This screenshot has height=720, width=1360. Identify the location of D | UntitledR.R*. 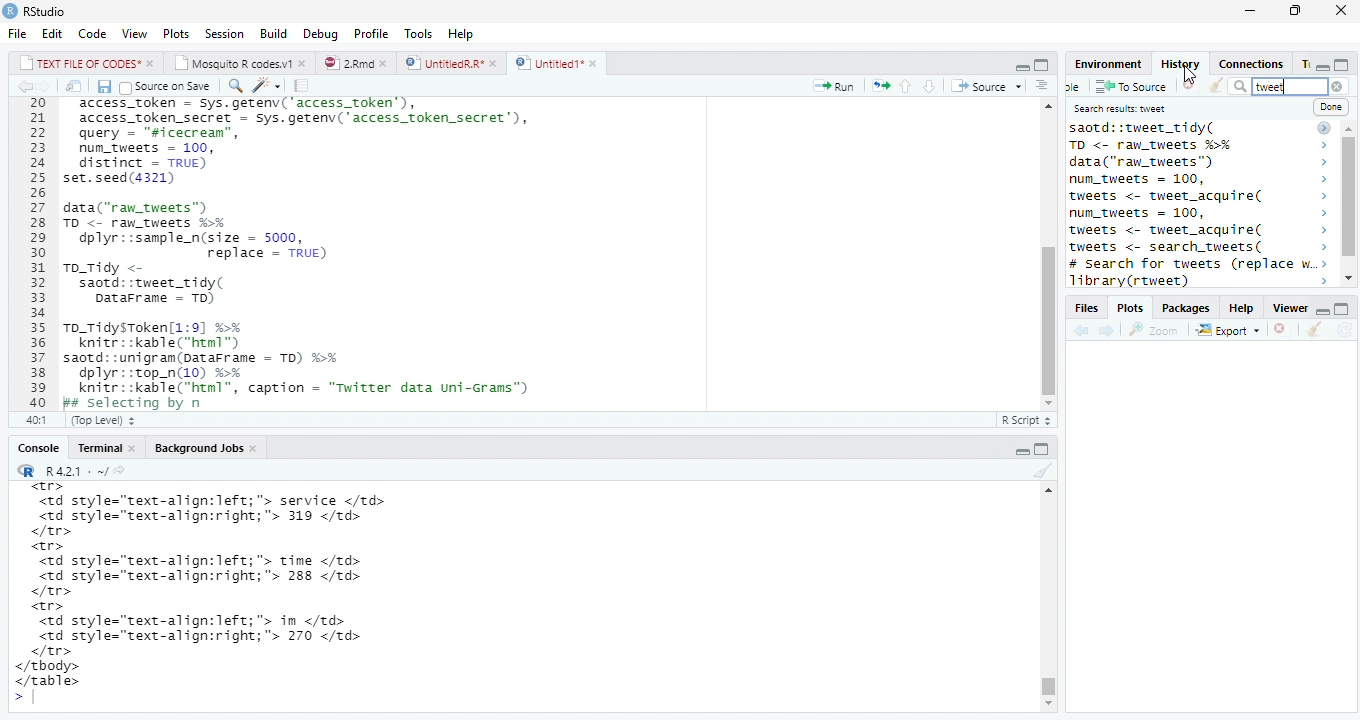
(448, 63).